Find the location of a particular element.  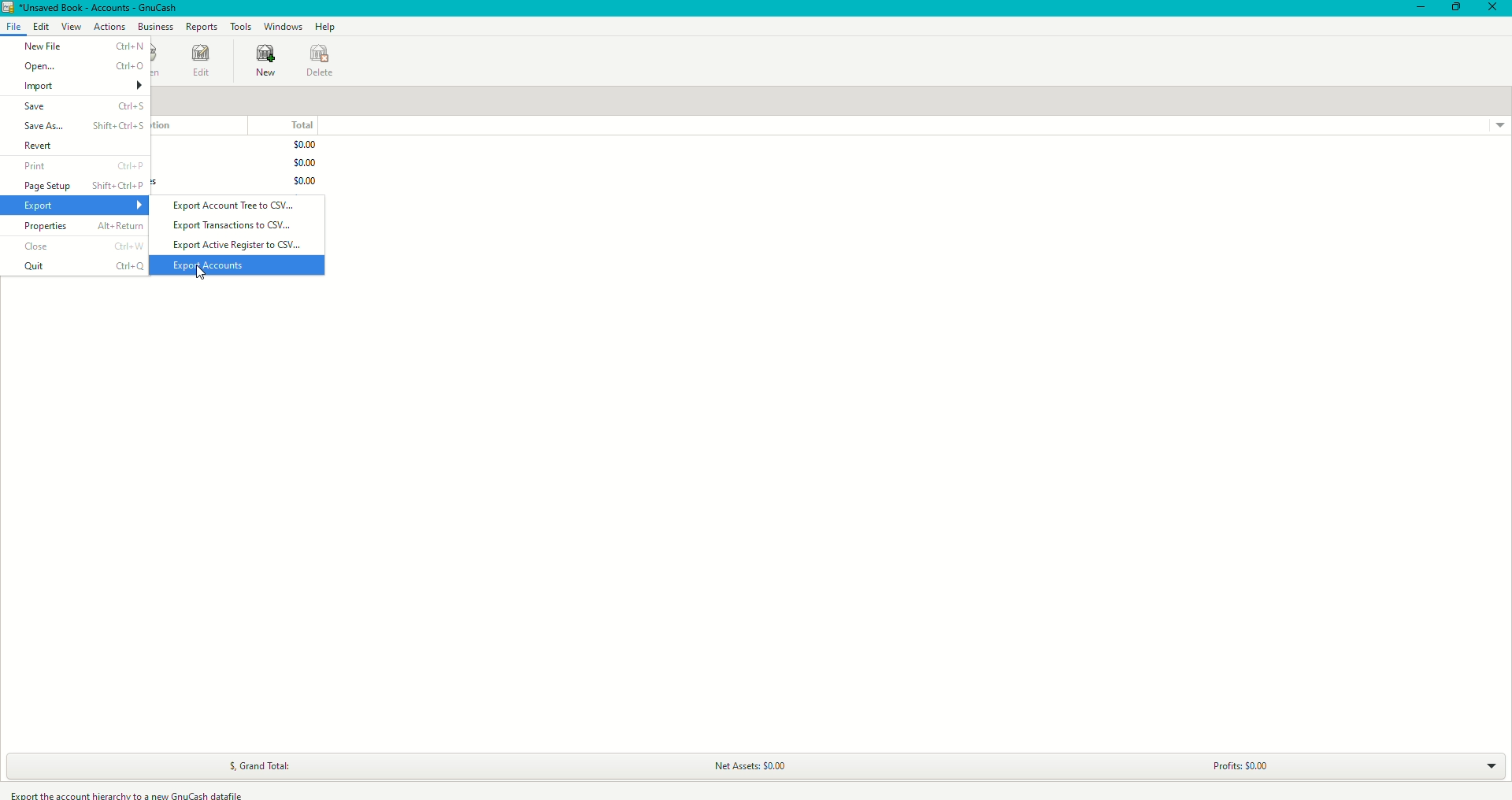

Export Accounts is located at coordinates (209, 265).